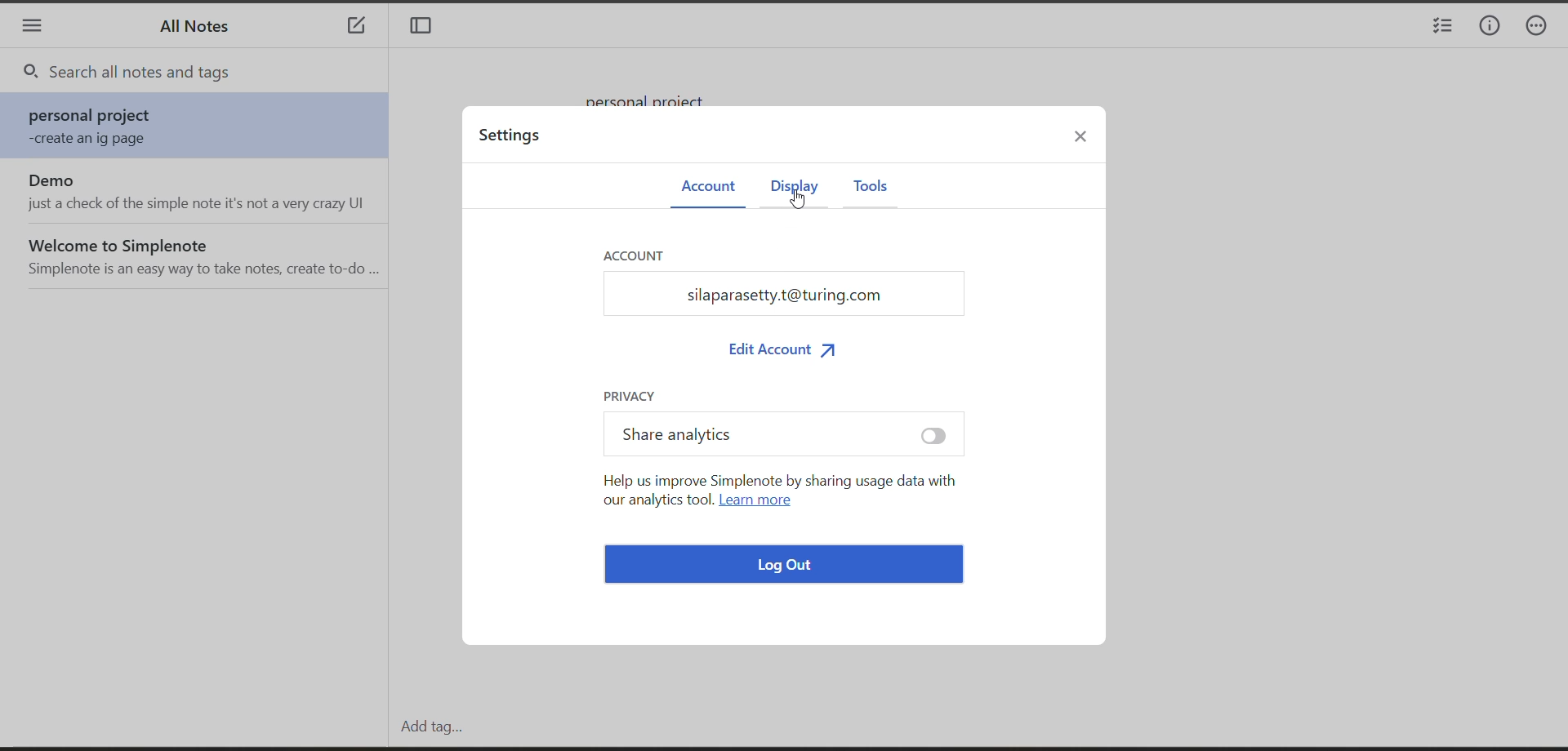 This screenshot has height=751, width=1568. Describe the element at coordinates (1490, 27) in the screenshot. I see `infor` at that location.